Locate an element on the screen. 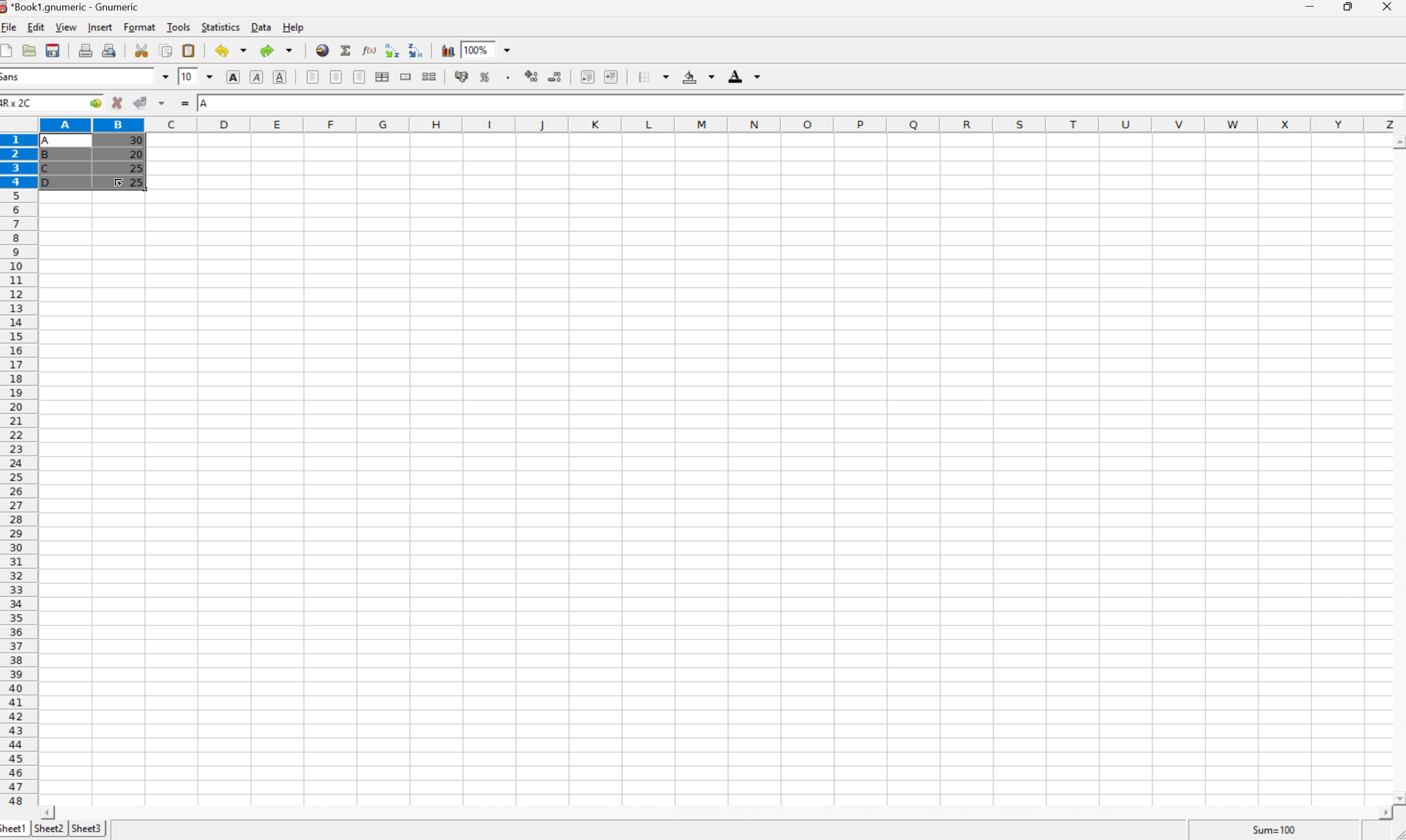 The image size is (1406, 840). 20 is located at coordinates (135, 154).